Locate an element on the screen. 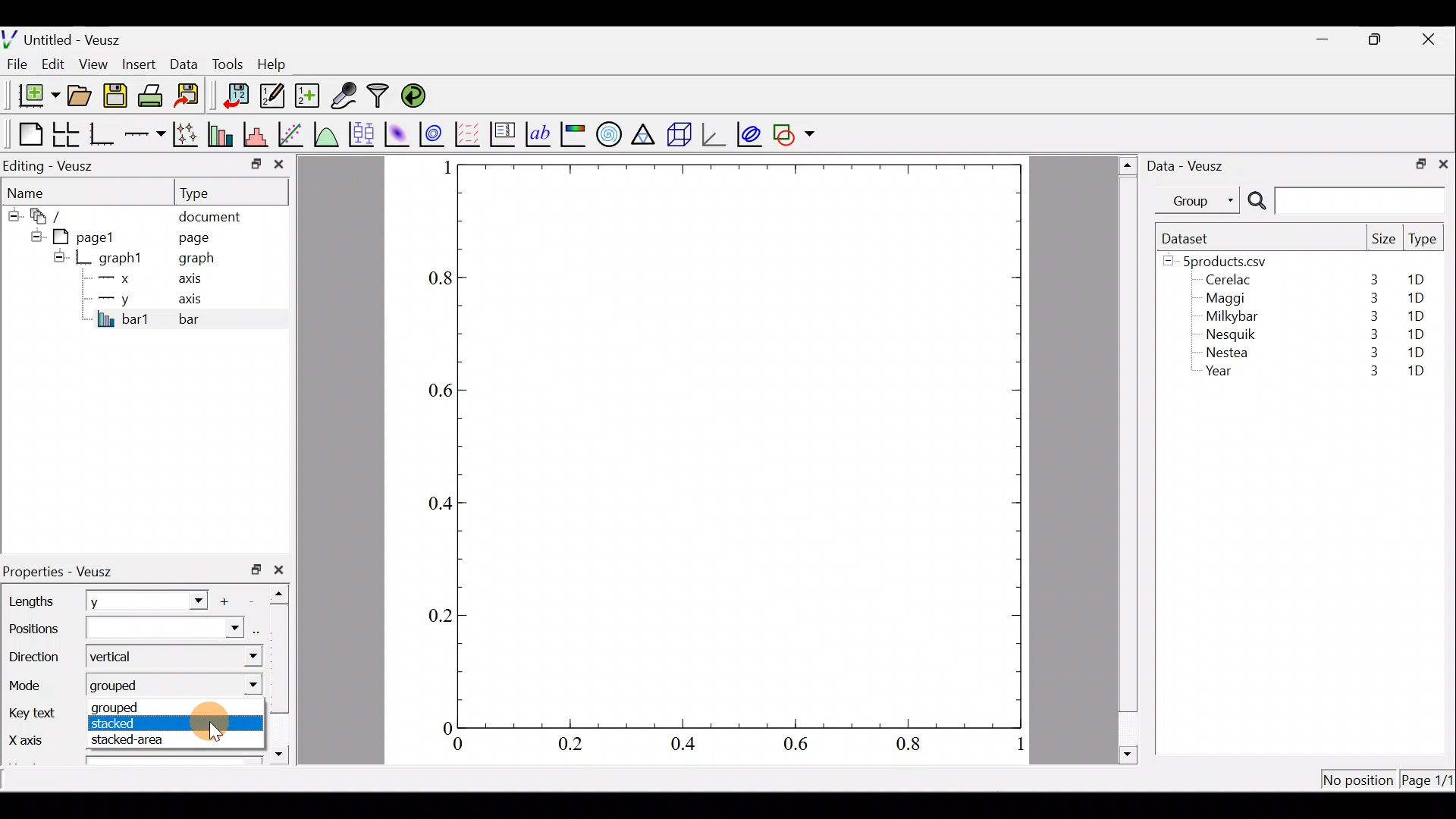 The width and height of the screenshot is (1456, 819). Mode is located at coordinates (32, 682).